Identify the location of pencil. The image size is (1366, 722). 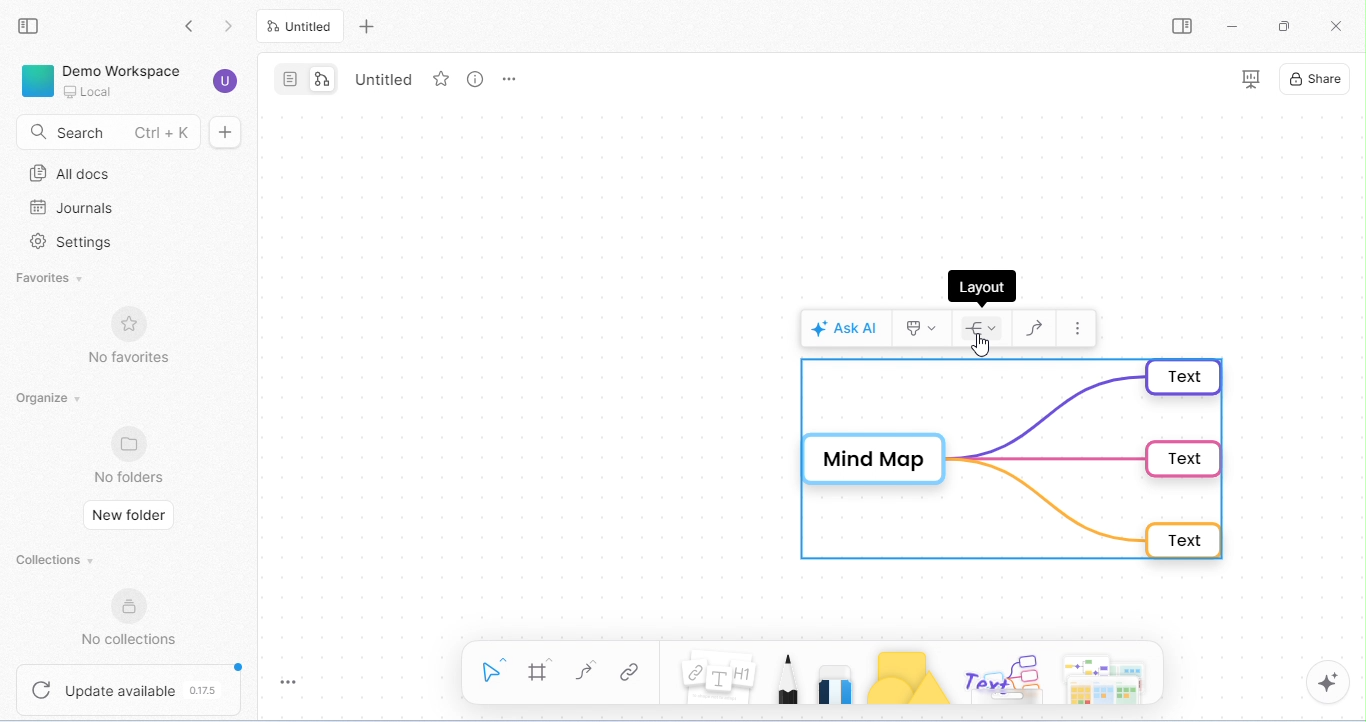
(789, 677).